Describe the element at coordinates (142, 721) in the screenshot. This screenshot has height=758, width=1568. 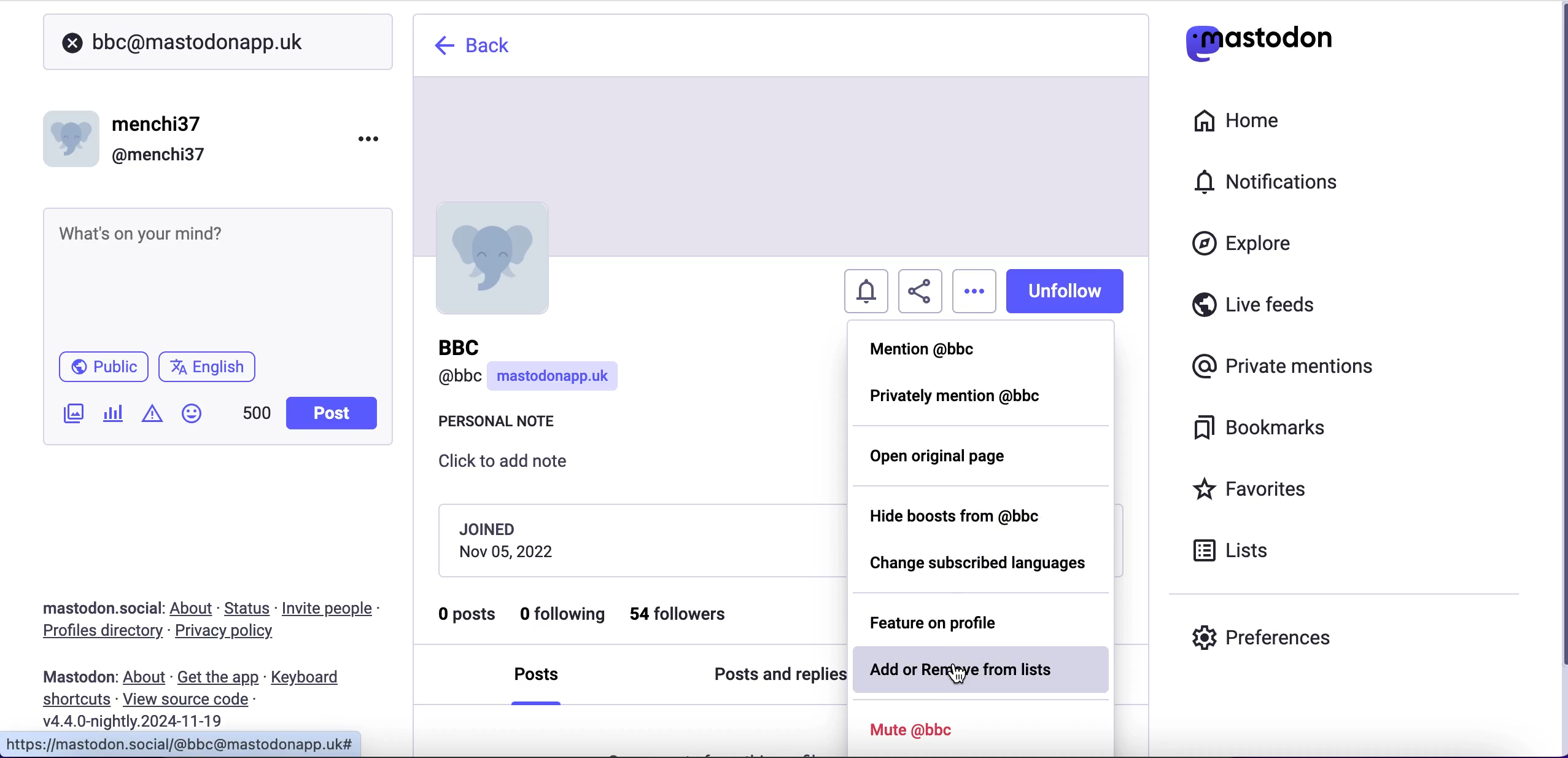
I see `2024-11-19` at that location.